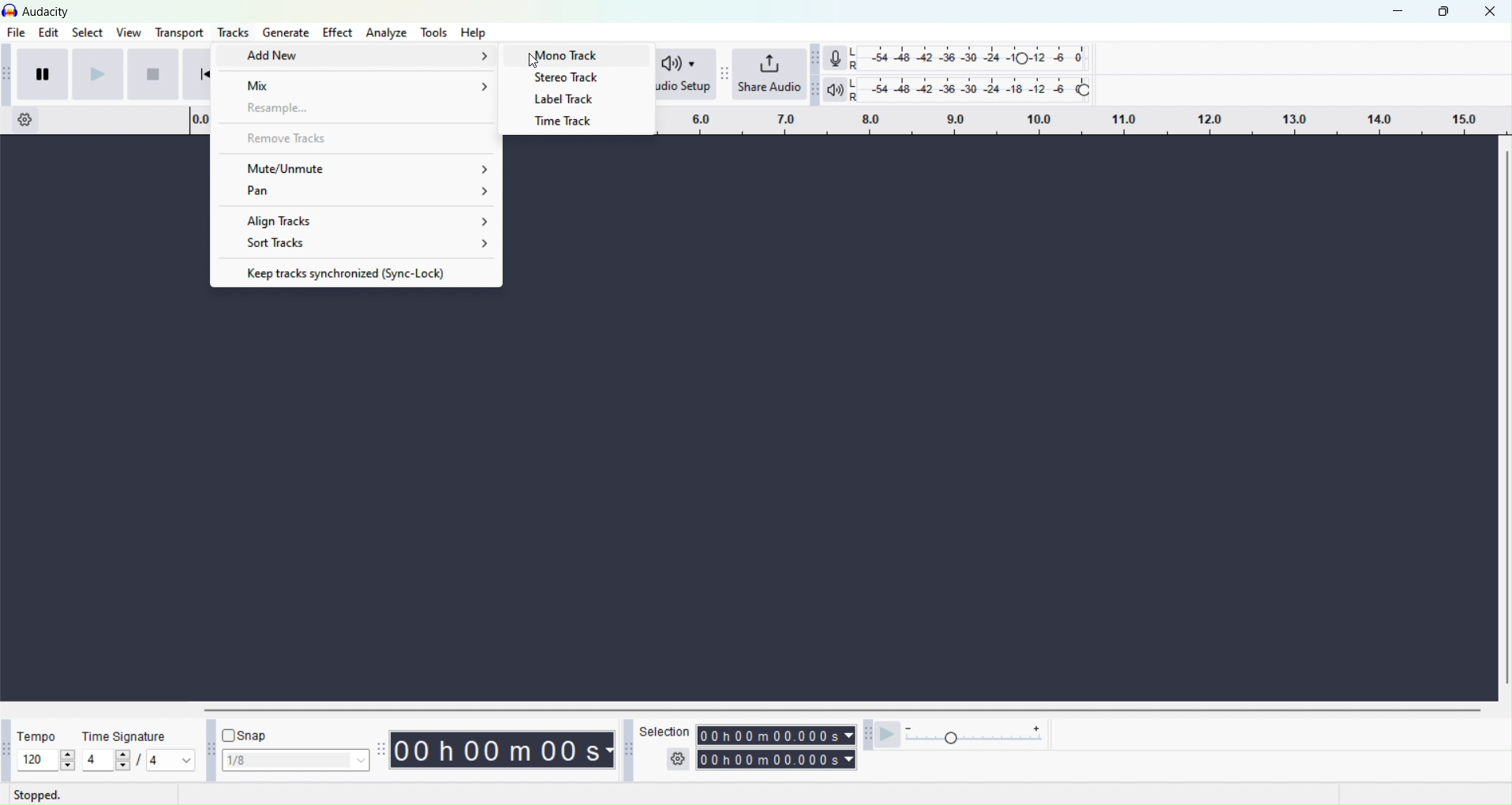 The height and width of the screenshot is (805, 1512). Describe the element at coordinates (359, 219) in the screenshot. I see `Align tracks` at that location.